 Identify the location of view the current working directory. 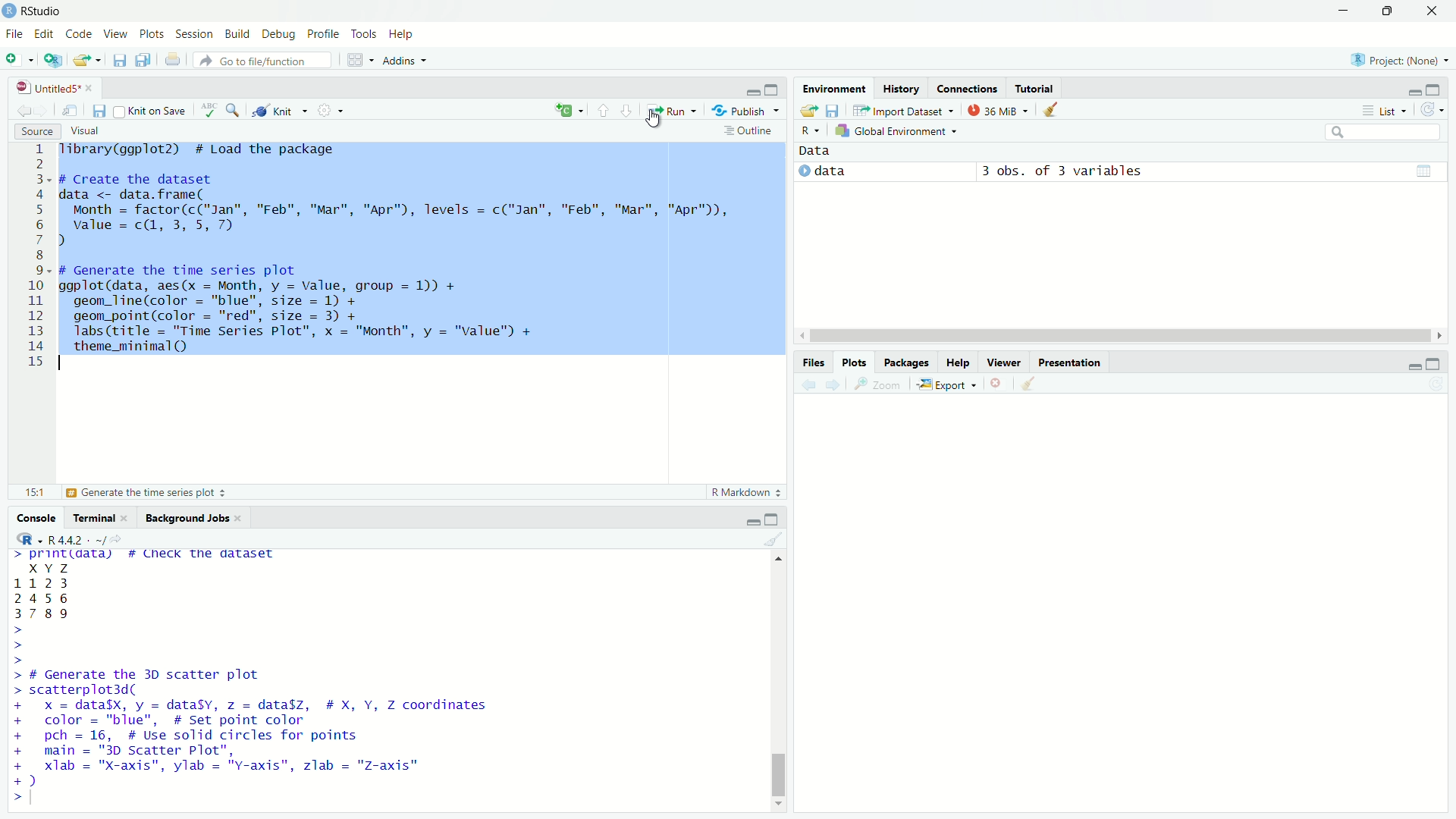
(118, 538).